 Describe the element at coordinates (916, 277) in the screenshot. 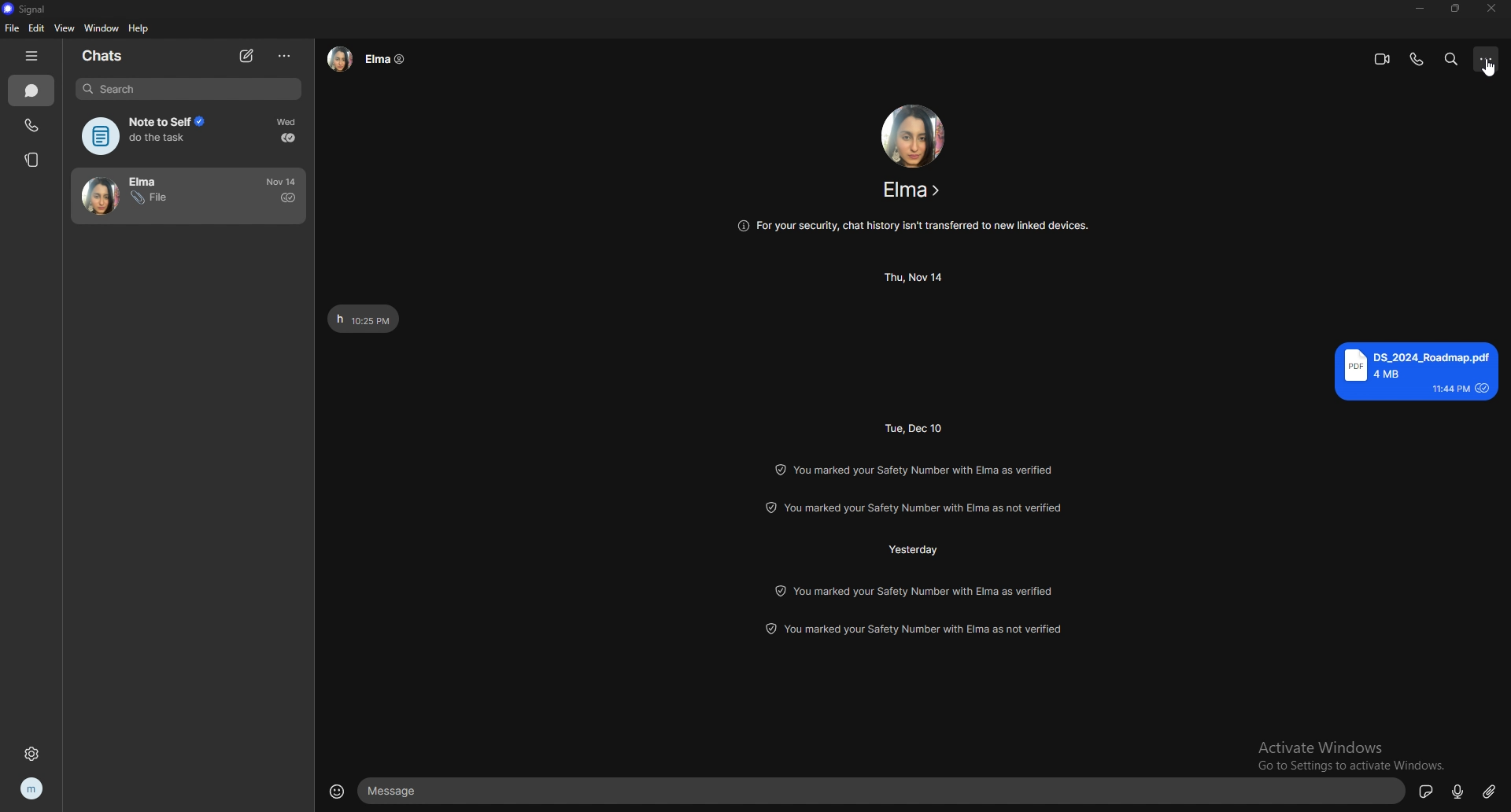

I see `time` at that location.